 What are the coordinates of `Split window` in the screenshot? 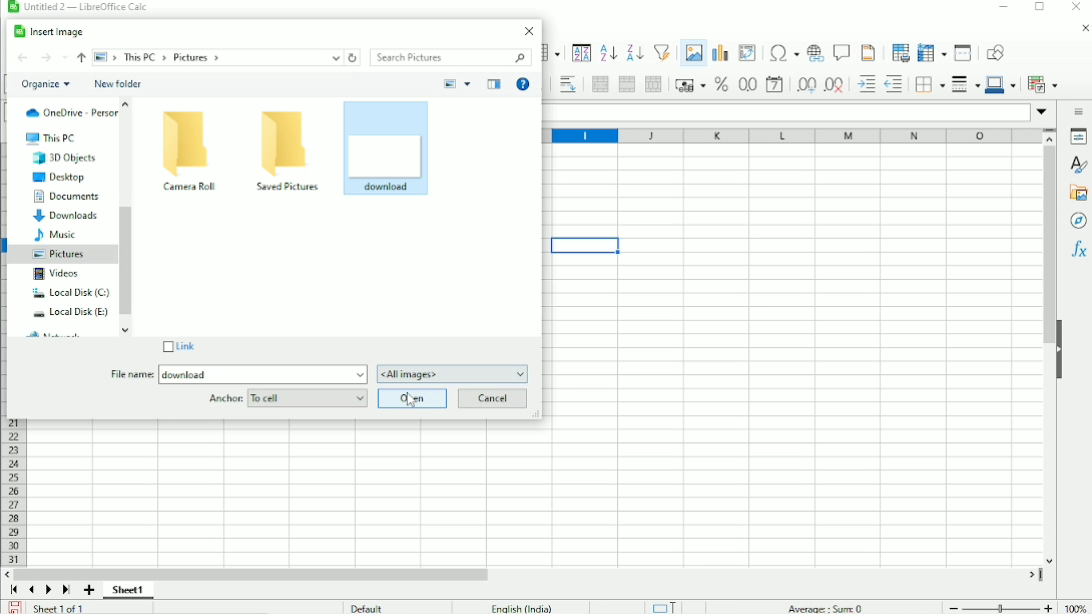 It's located at (963, 53).